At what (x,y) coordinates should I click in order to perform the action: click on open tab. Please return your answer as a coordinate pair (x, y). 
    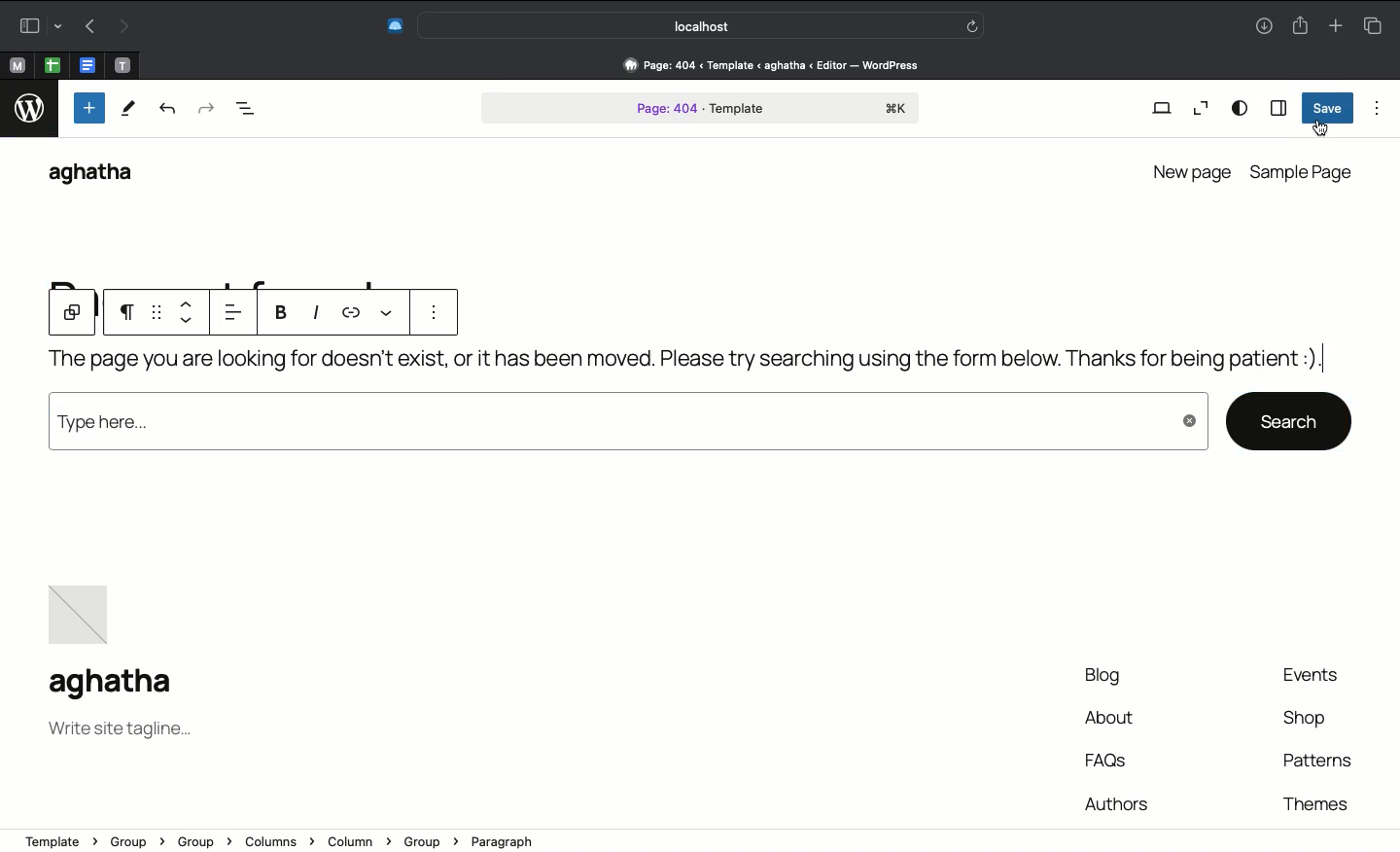
    Looking at the image, I should click on (17, 66).